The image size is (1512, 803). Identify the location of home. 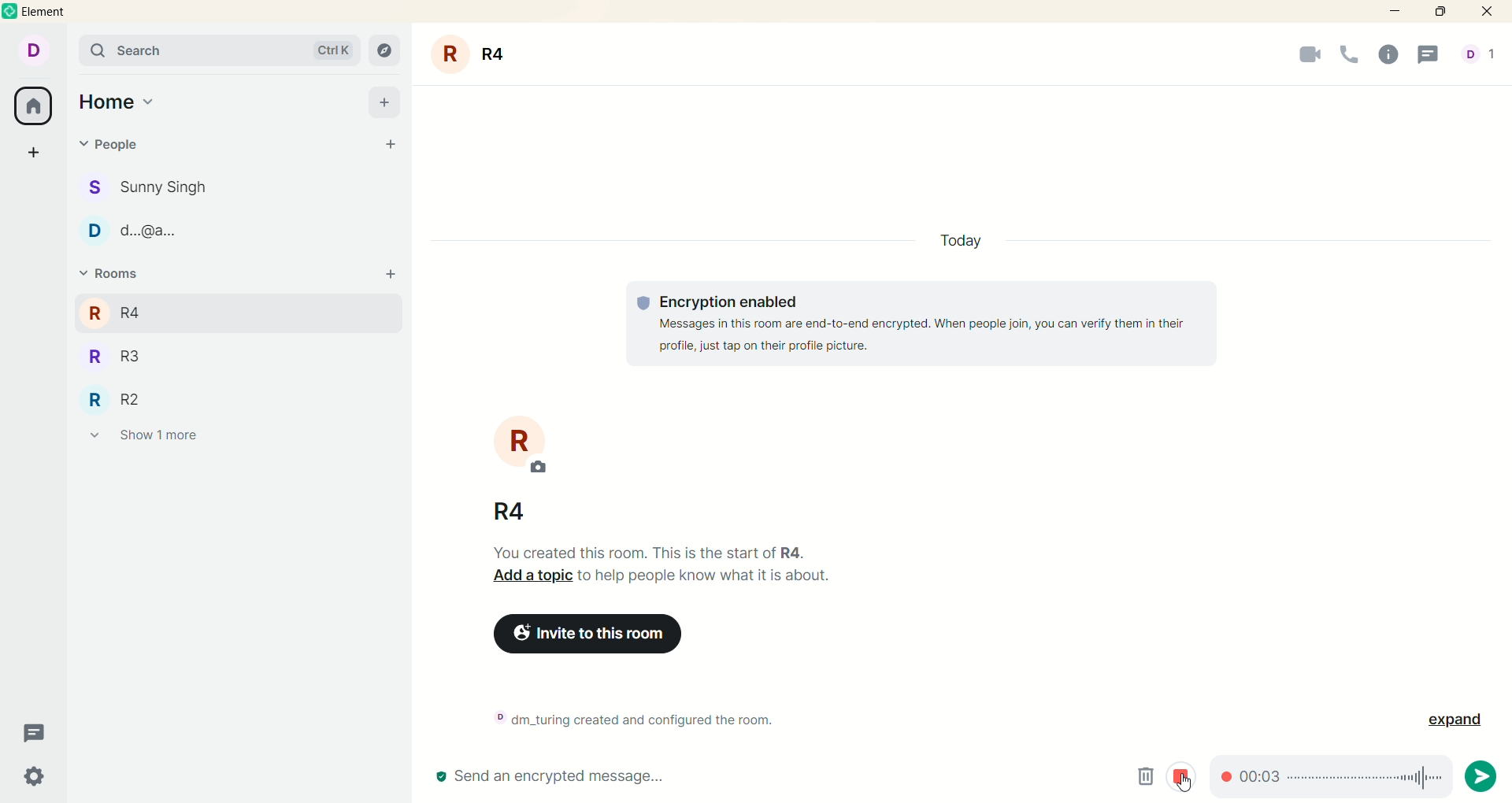
(117, 103).